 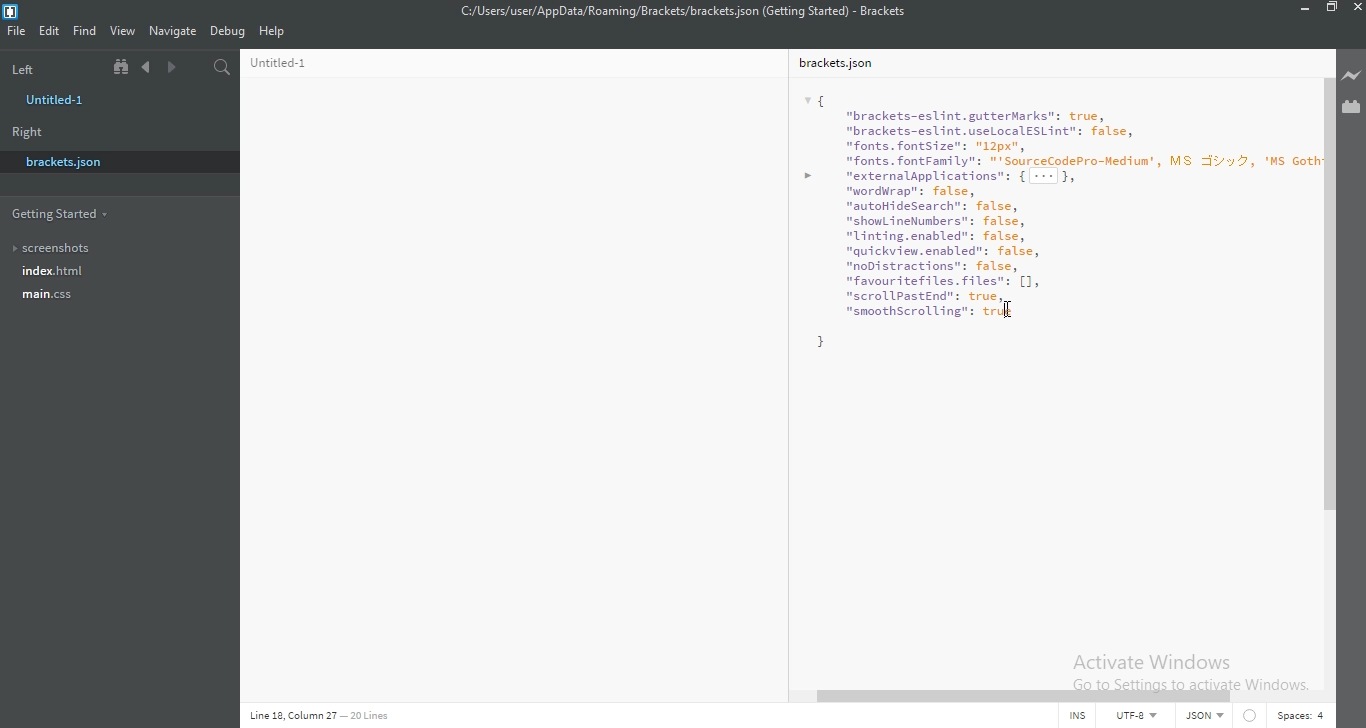 I want to click on Line code data, so click(x=328, y=717).